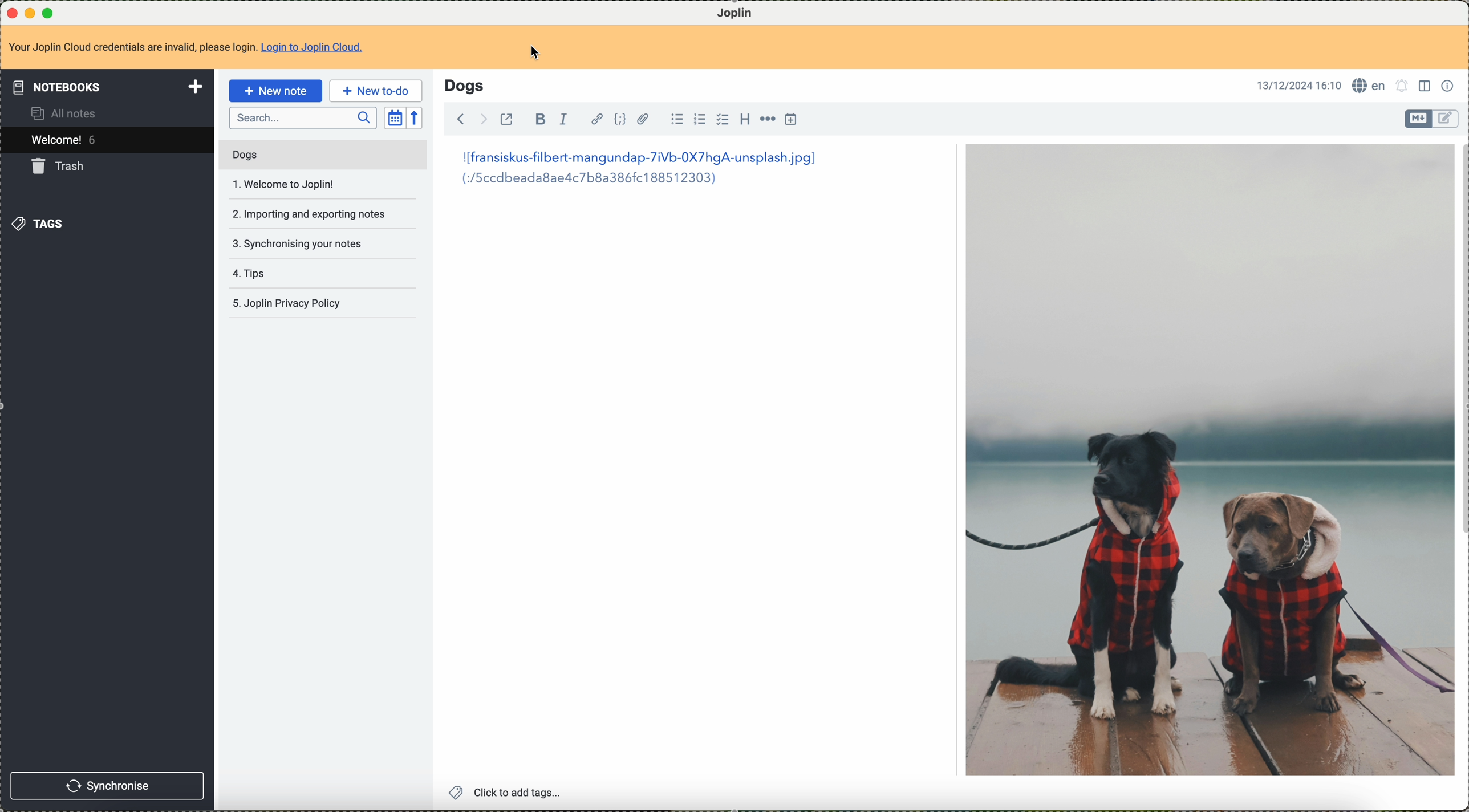 The image size is (1469, 812). What do you see at coordinates (594, 119) in the screenshot?
I see `hyperlink` at bounding box center [594, 119].